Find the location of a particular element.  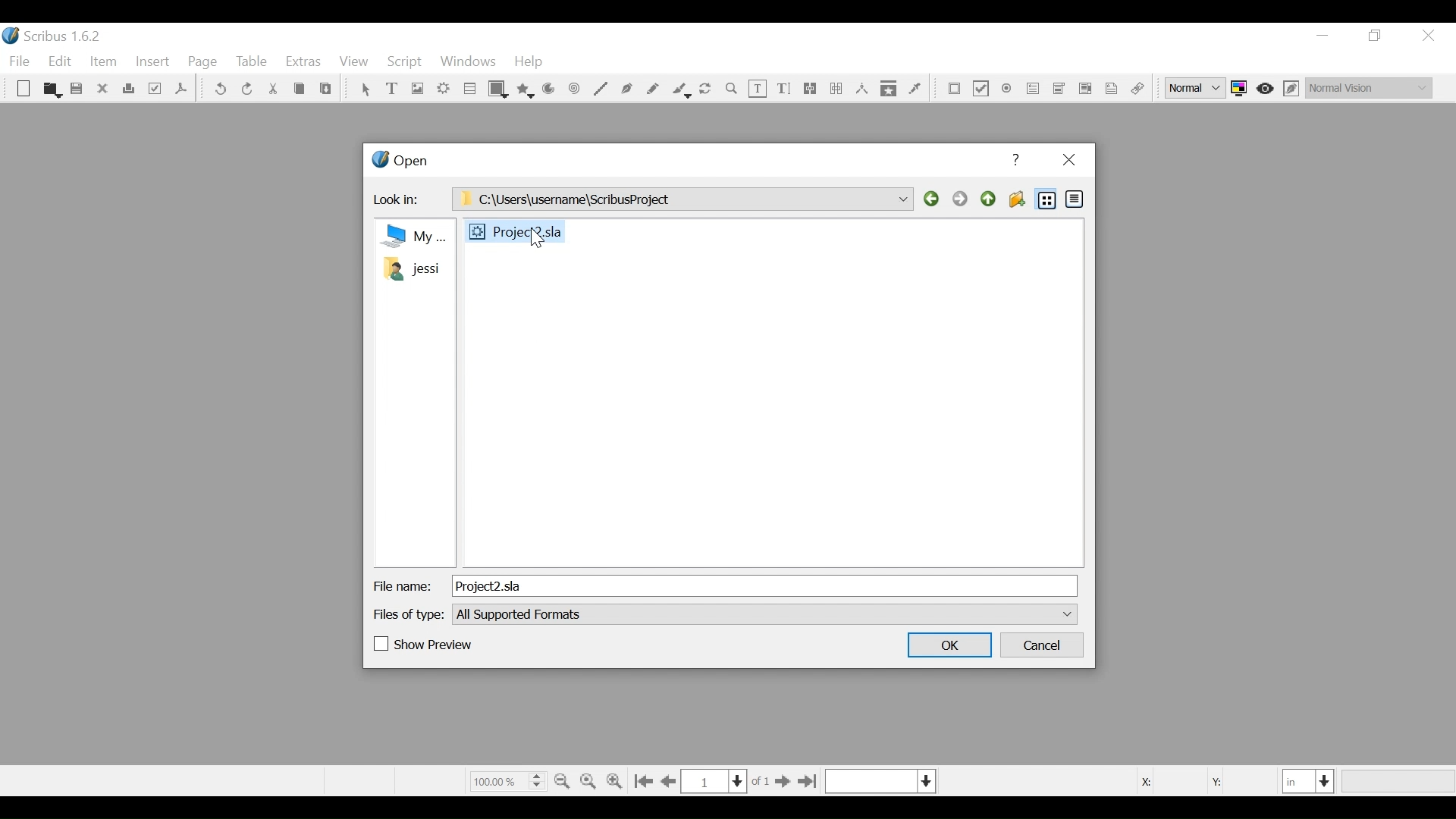

Windows is located at coordinates (468, 63).